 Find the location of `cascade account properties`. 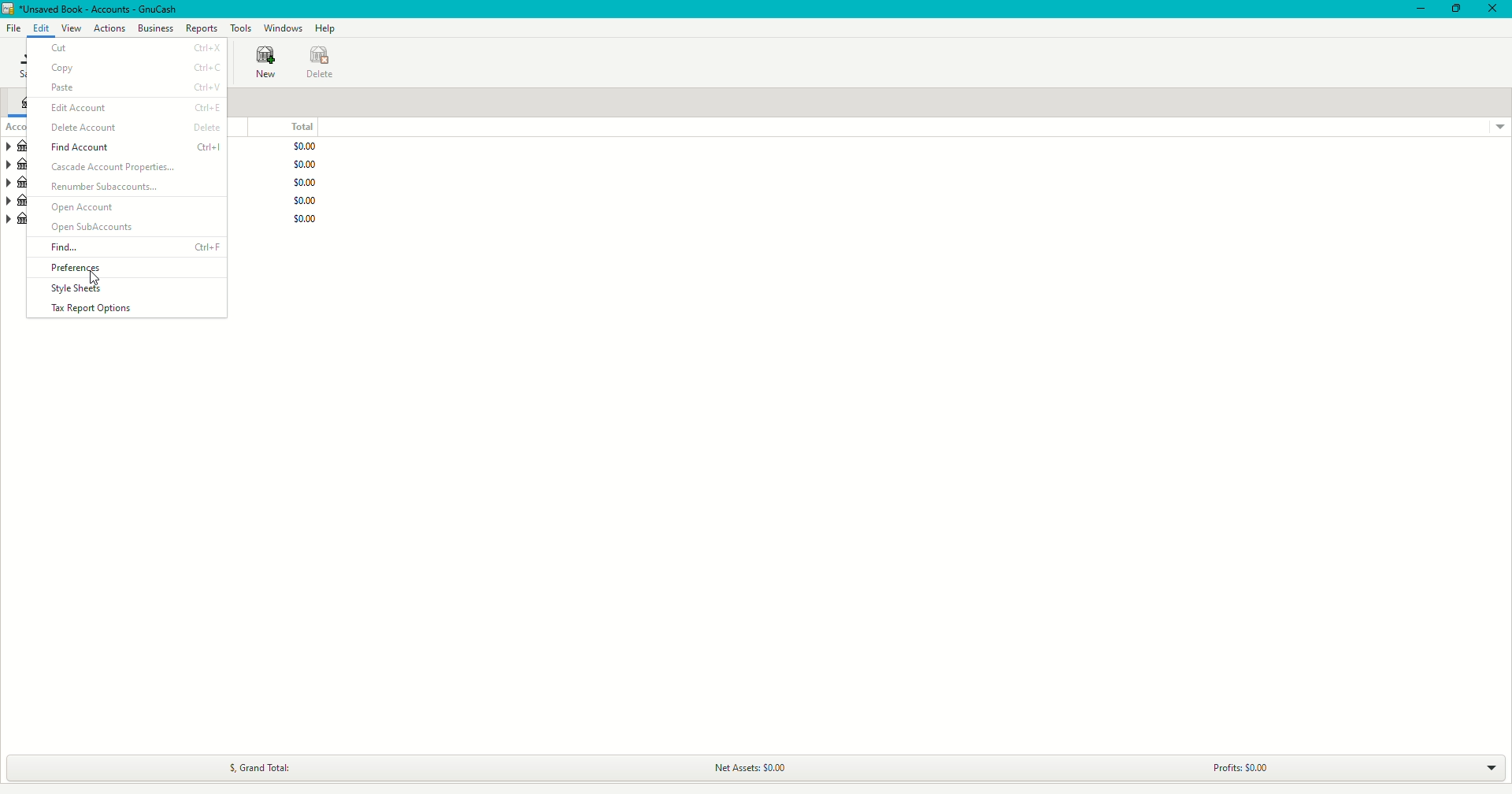

cascade account properties is located at coordinates (131, 168).